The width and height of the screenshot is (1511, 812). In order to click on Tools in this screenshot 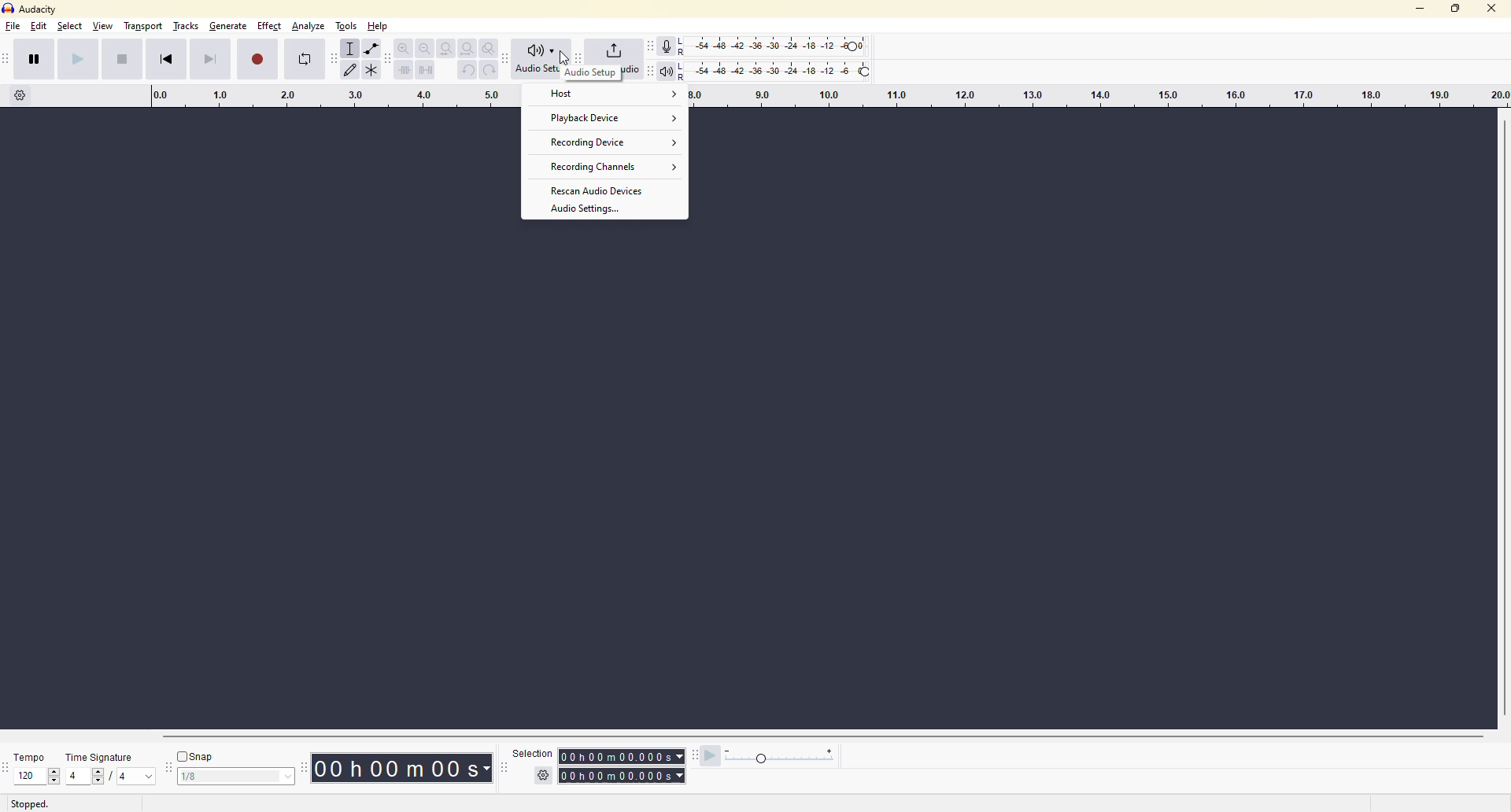, I will do `click(370, 71)`.